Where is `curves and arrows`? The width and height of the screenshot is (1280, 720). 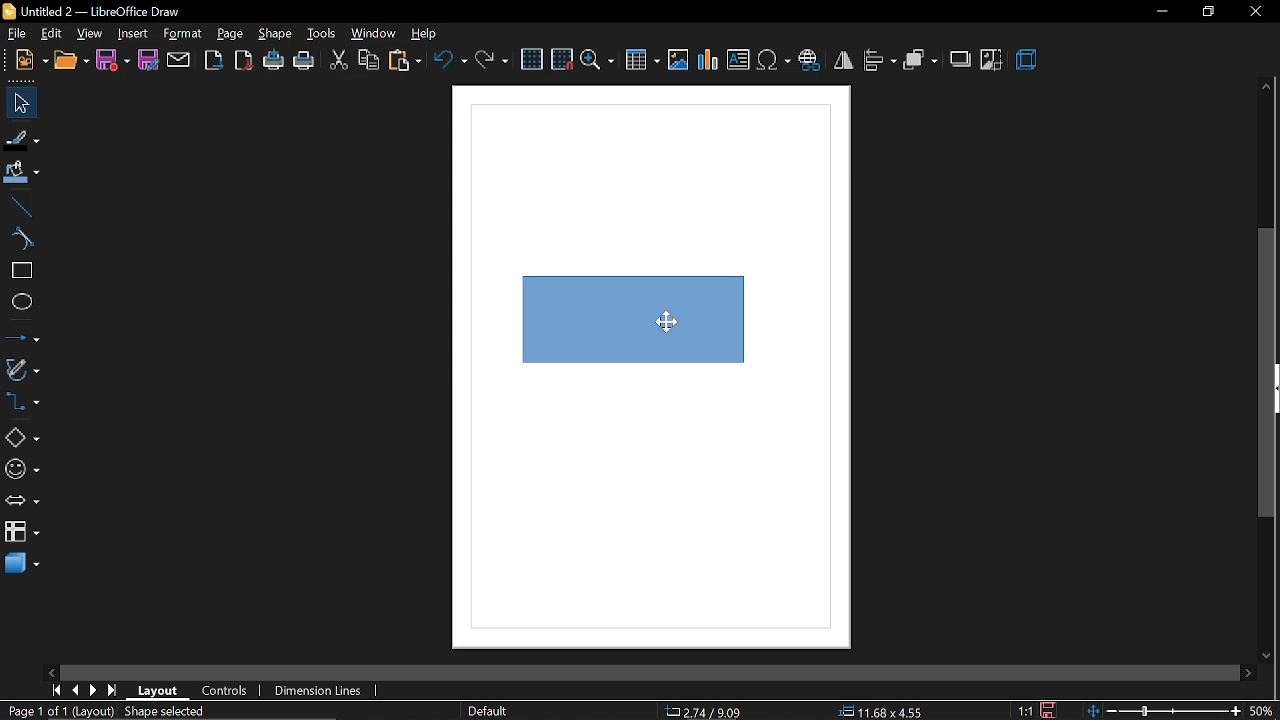
curves and arrows is located at coordinates (23, 369).